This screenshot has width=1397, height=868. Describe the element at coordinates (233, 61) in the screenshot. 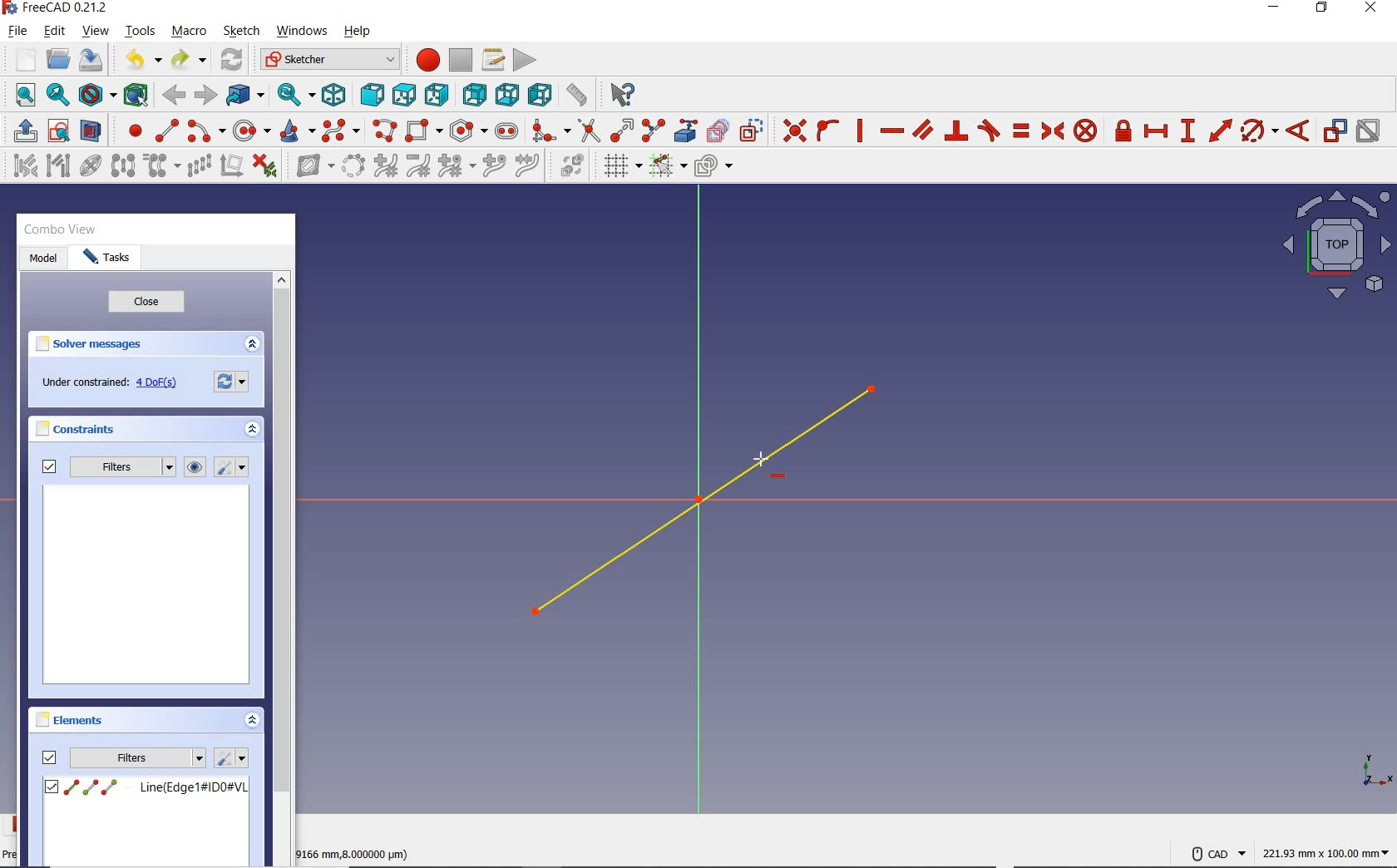

I see `REFRESH` at that location.